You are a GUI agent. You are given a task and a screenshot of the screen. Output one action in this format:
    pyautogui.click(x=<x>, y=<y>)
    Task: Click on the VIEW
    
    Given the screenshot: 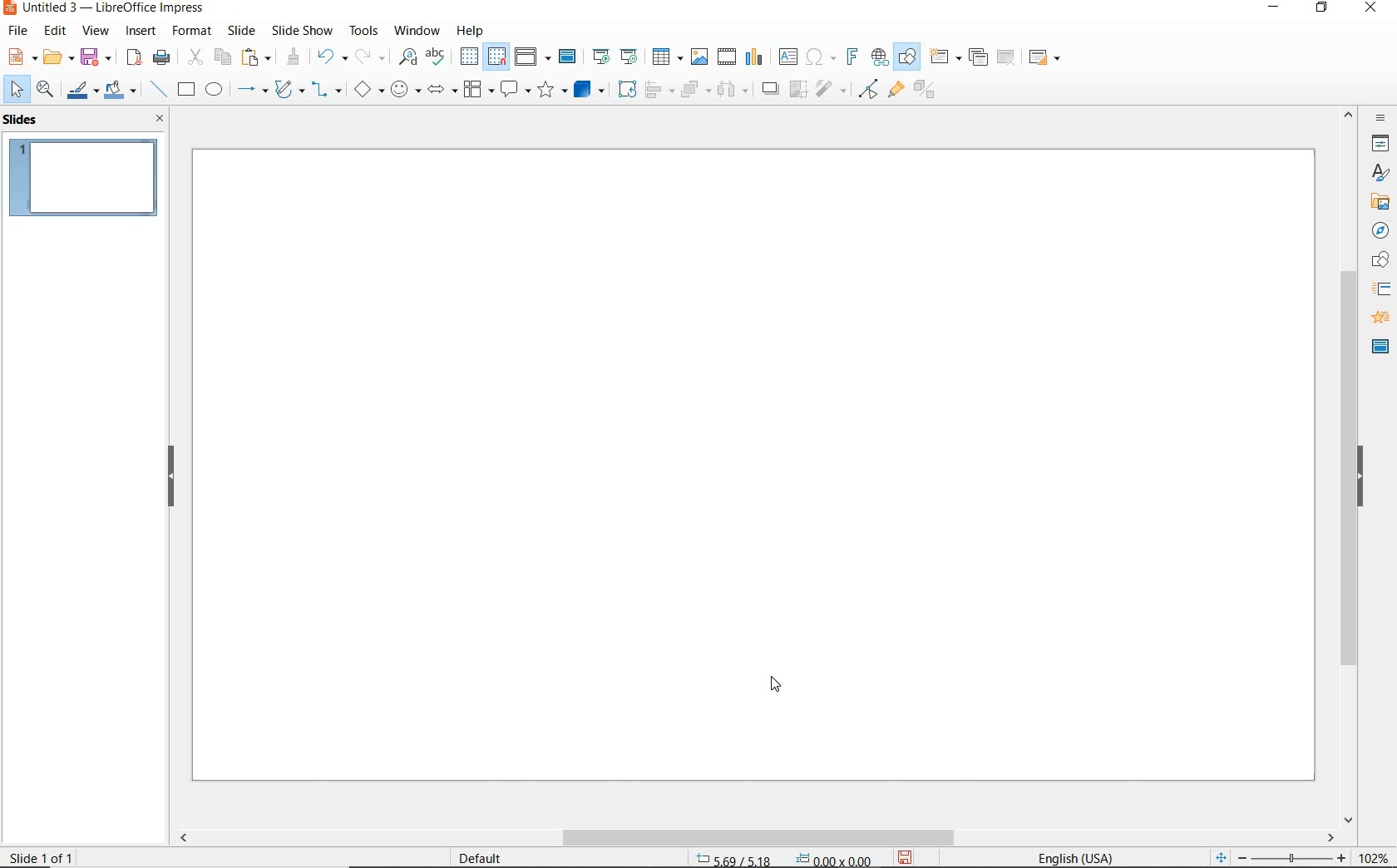 What is the action you would take?
    pyautogui.click(x=96, y=32)
    